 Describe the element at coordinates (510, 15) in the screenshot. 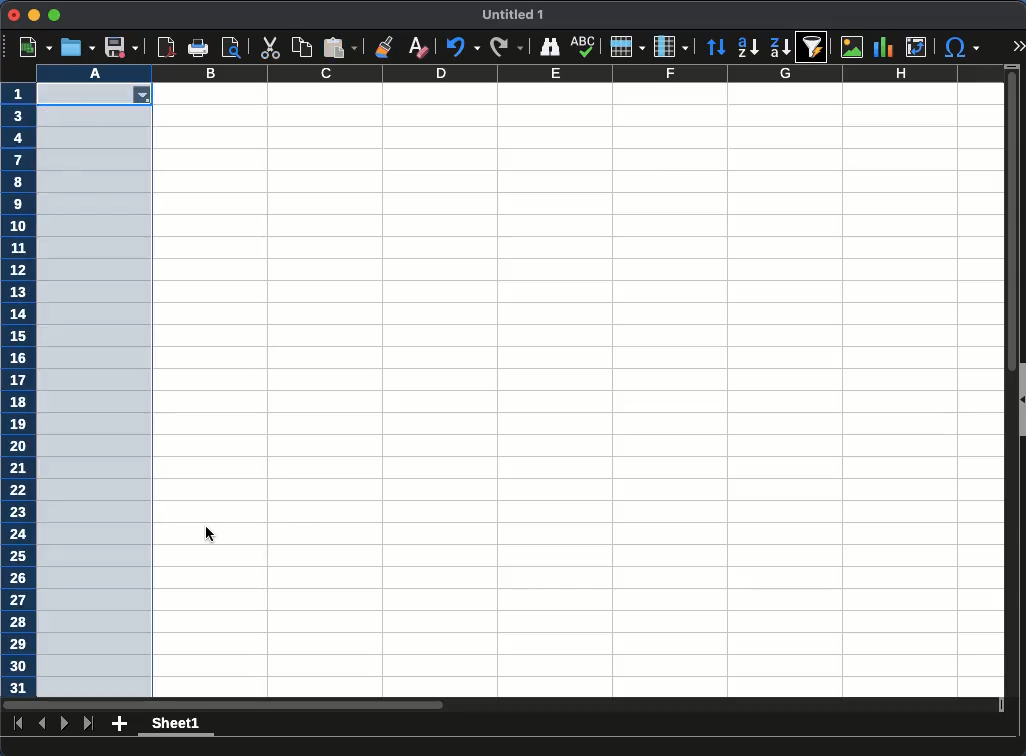

I see `untitled 1` at that location.